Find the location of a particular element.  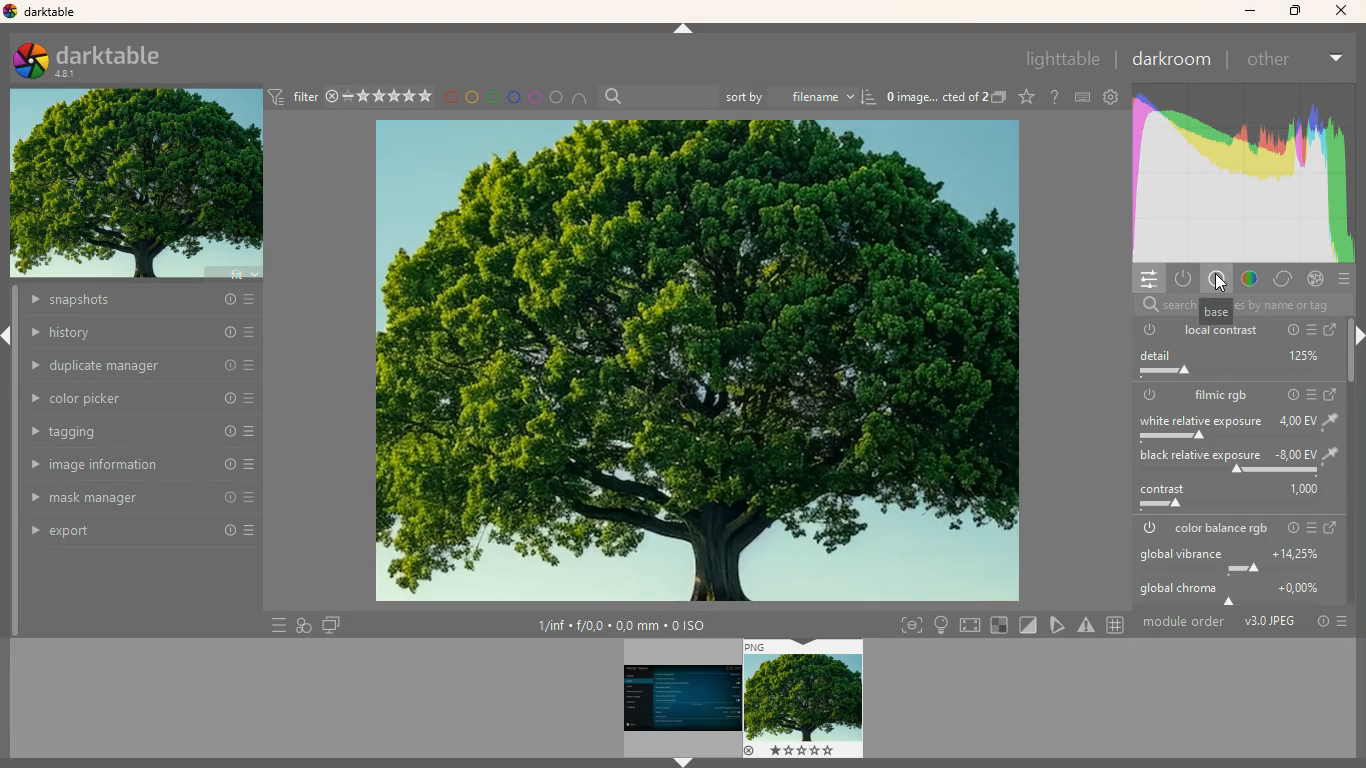

gradient is located at coordinates (1250, 279).